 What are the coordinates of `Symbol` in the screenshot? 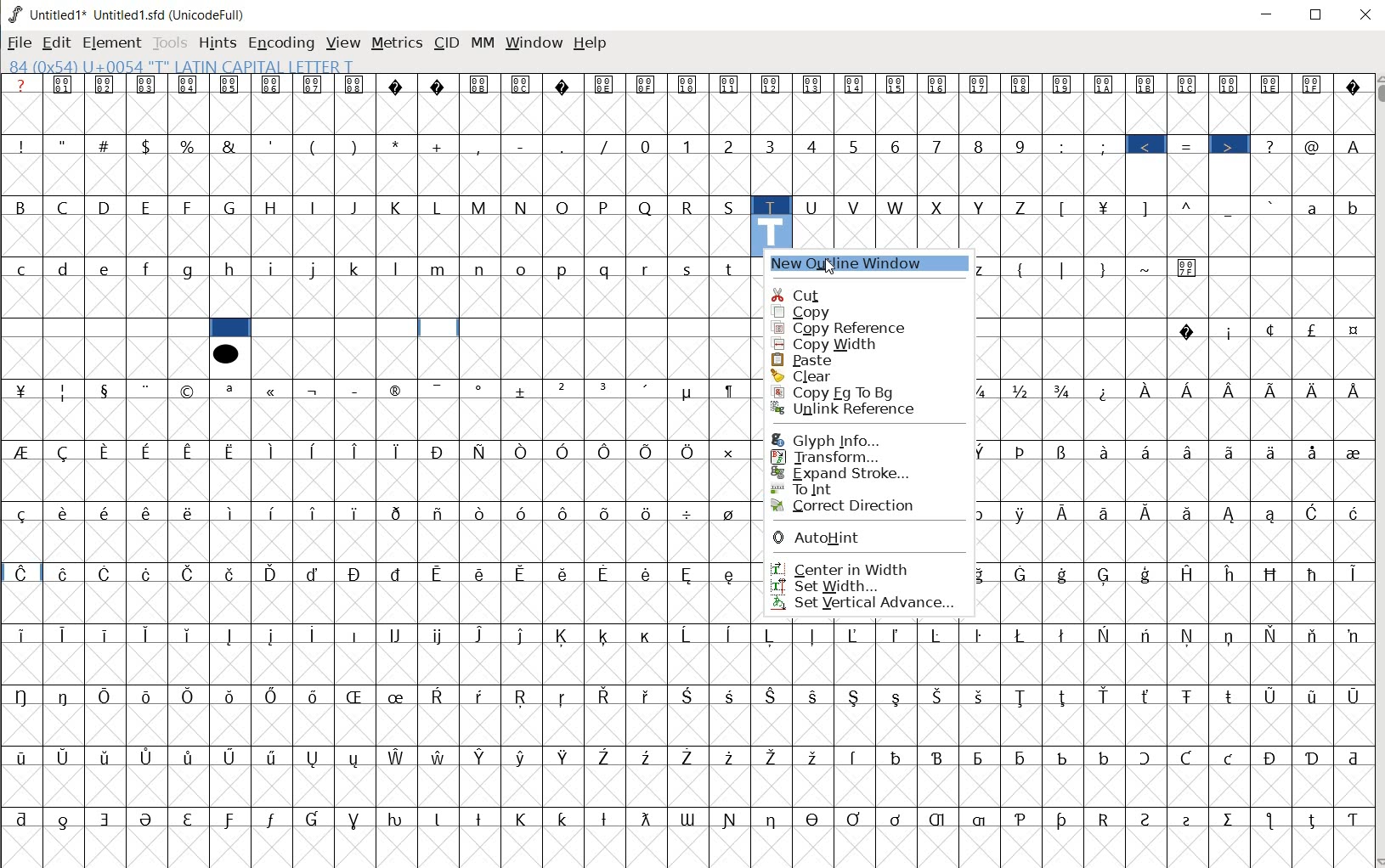 It's located at (108, 633).